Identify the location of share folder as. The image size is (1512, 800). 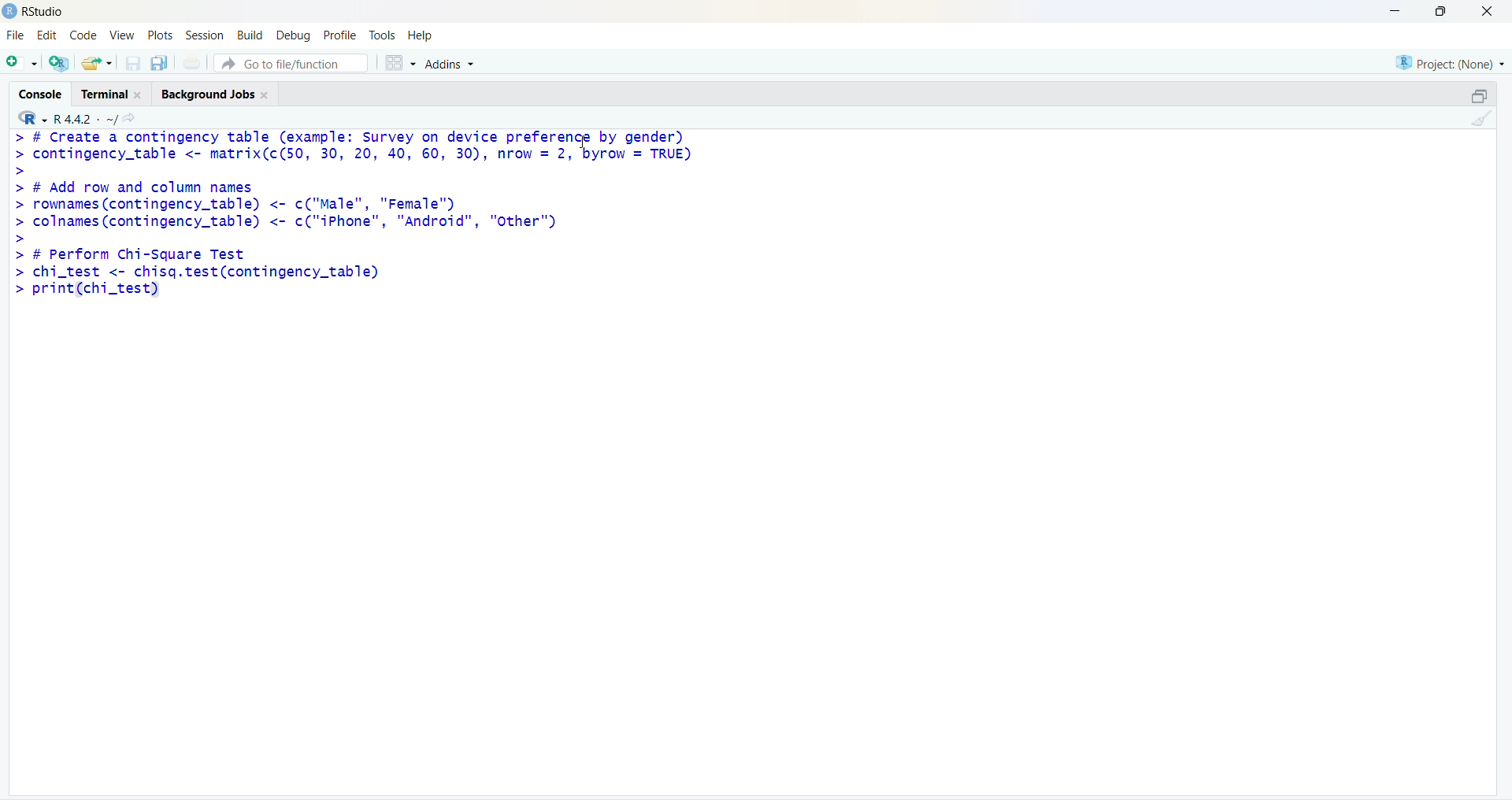
(96, 62).